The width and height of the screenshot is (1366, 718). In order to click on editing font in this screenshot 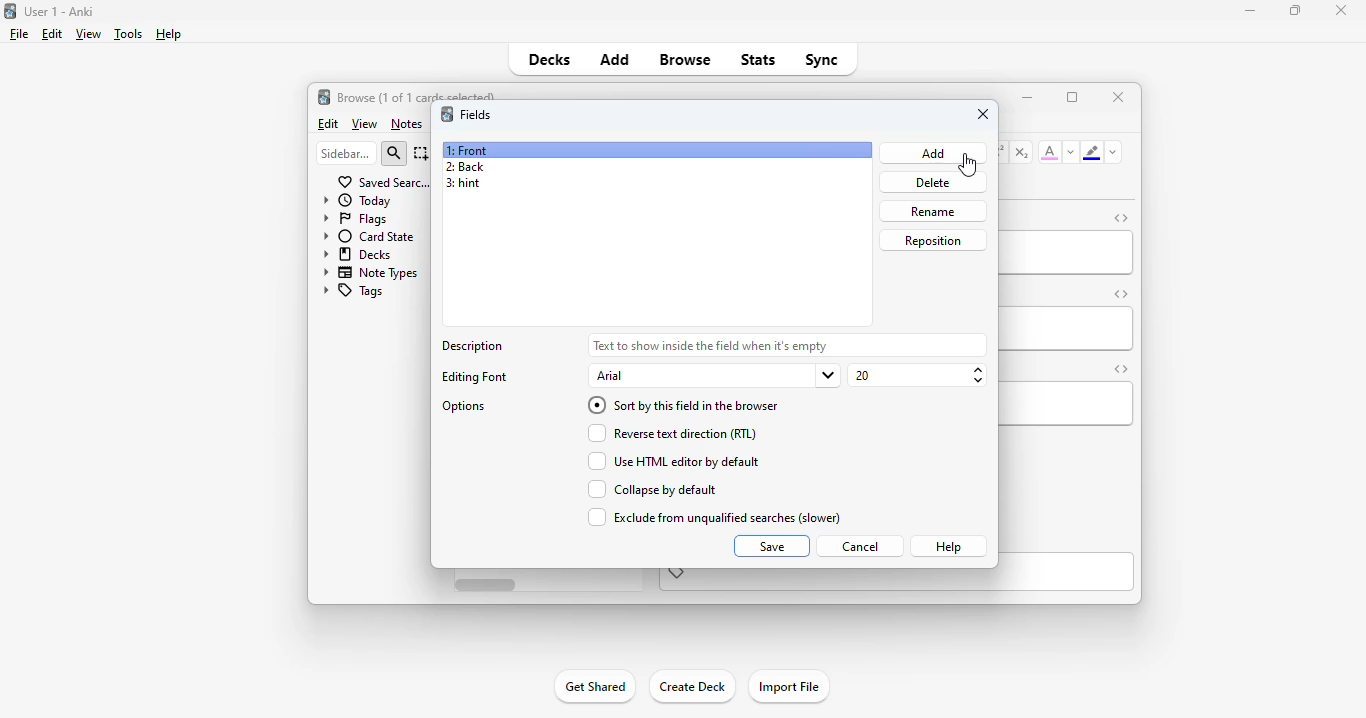, I will do `click(476, 377)`.